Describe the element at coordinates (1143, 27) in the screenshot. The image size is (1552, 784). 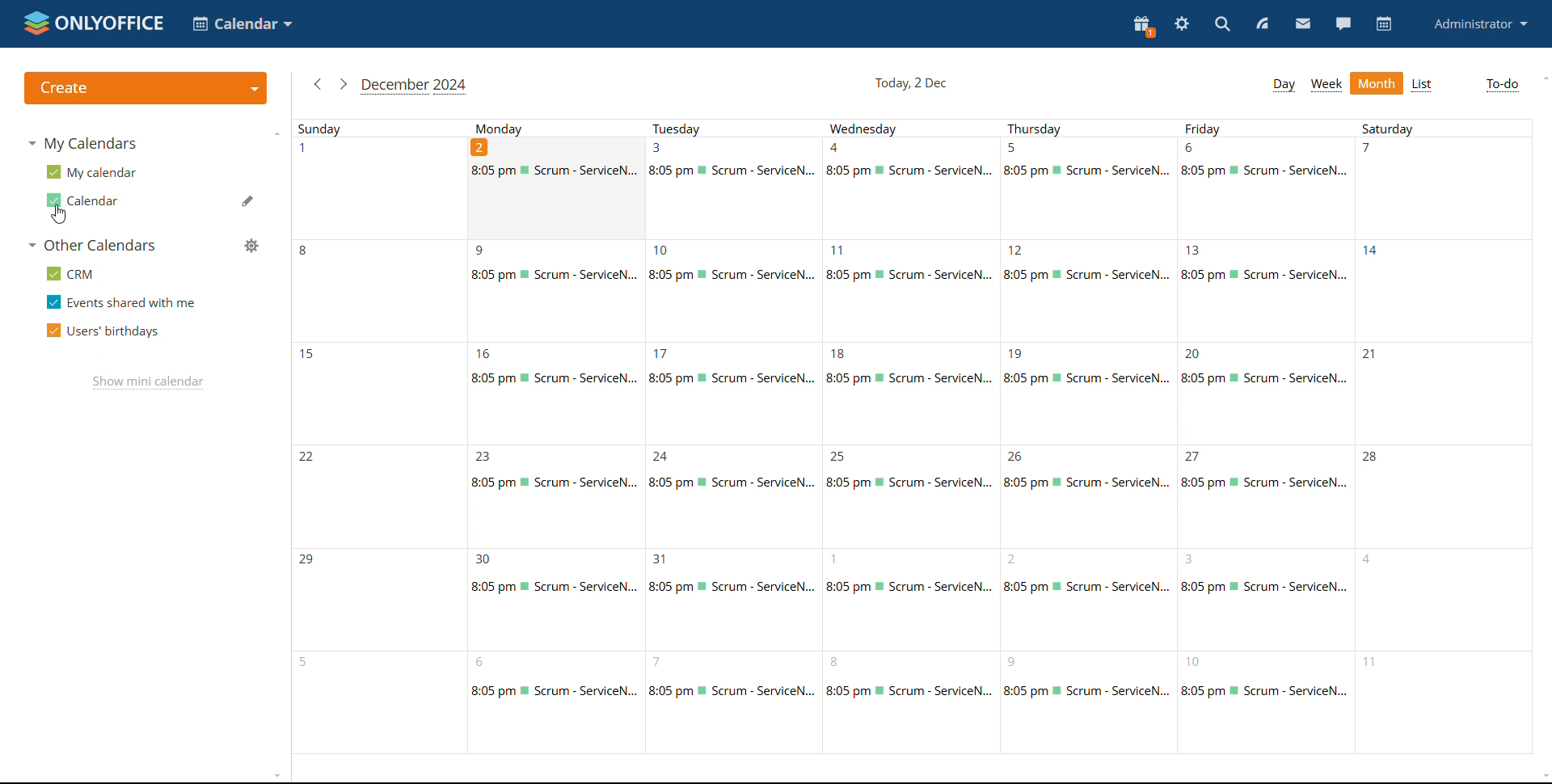
I see `present` at that location.